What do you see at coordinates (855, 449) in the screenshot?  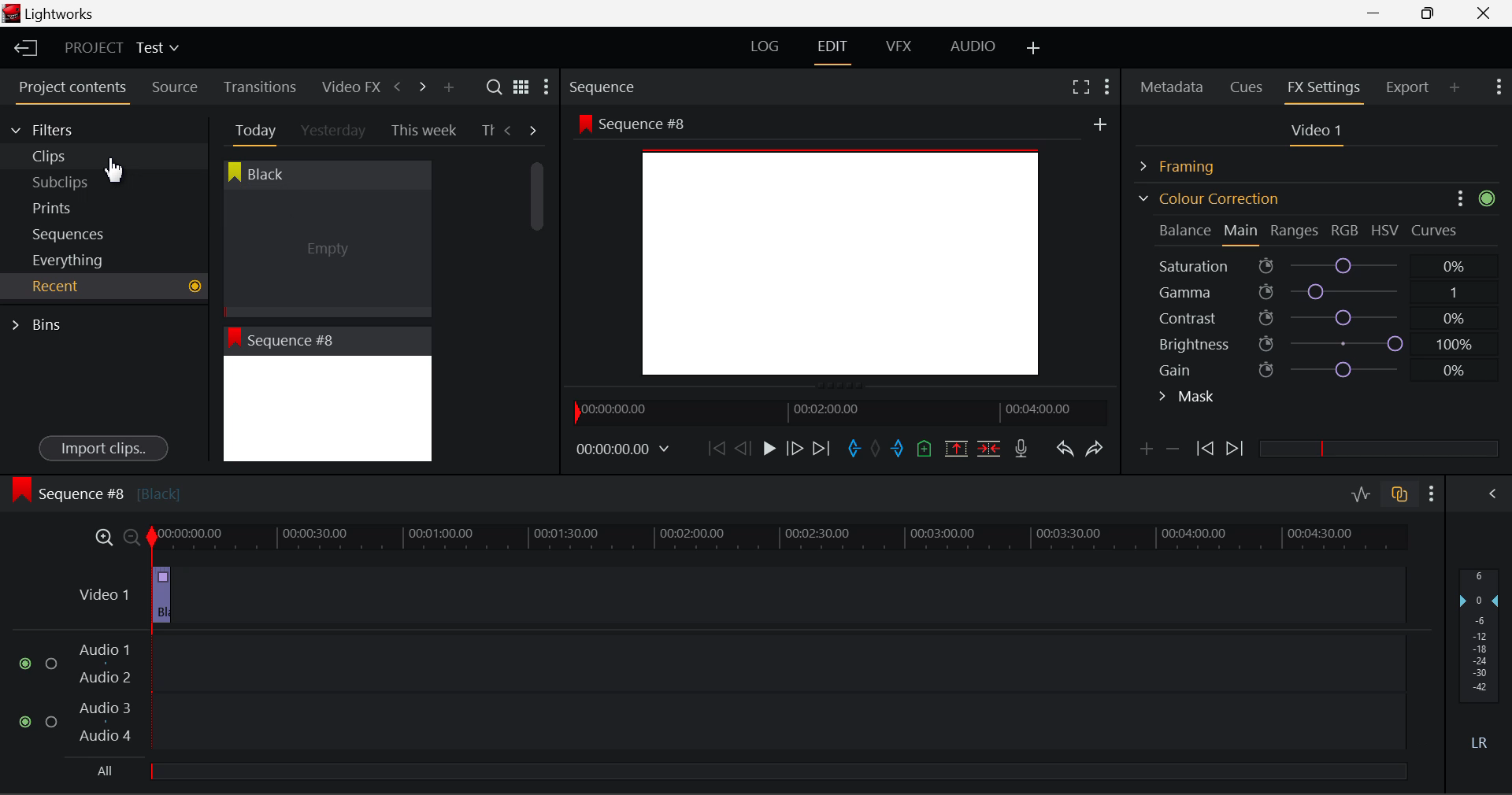 I see `Mark In` at bounding box center [855, 449].